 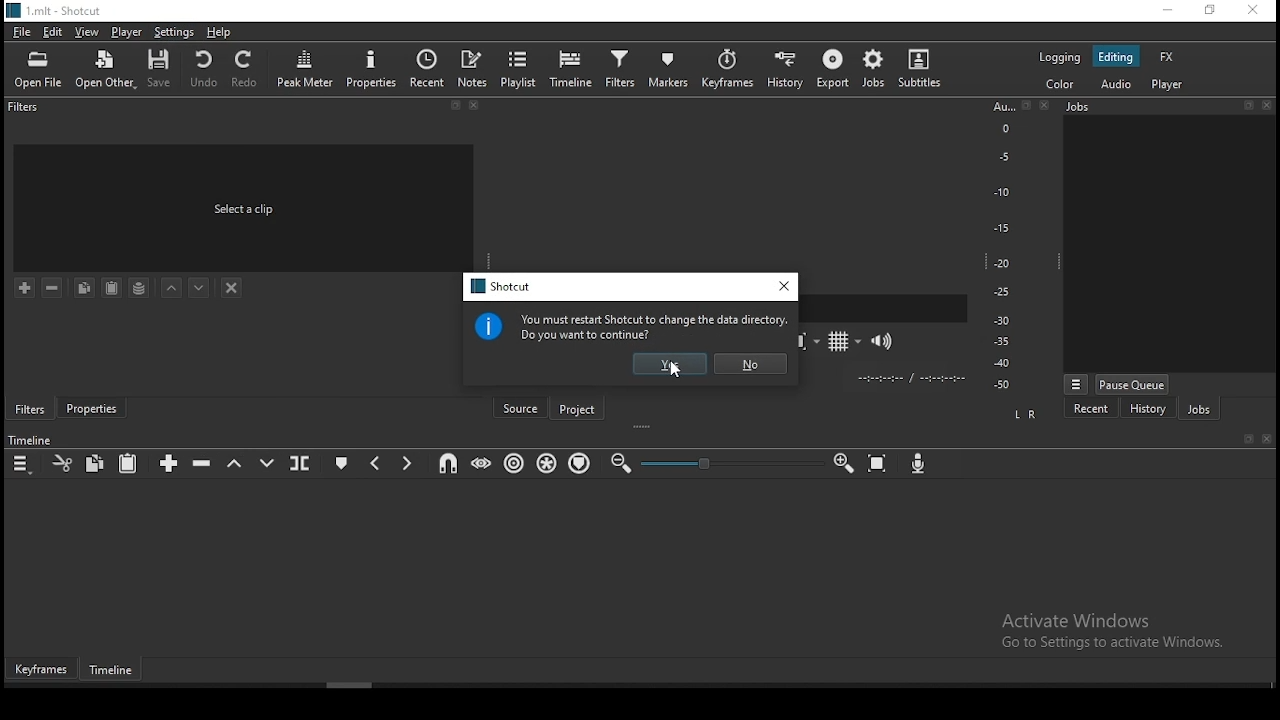 I want to click on audio, so click(x=1119, y=85).